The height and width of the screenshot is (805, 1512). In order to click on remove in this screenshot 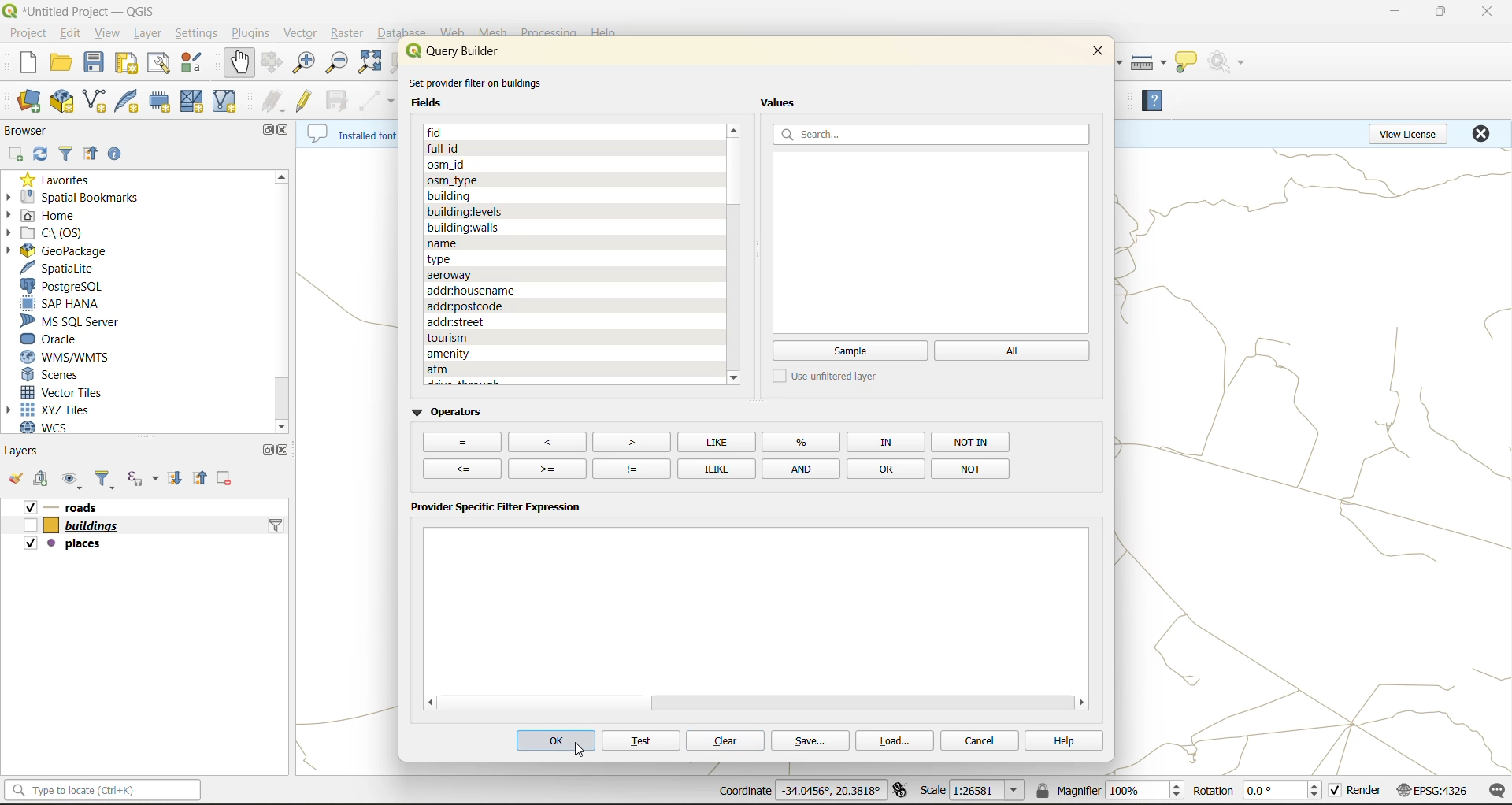, I will do `click(222, 477)`.